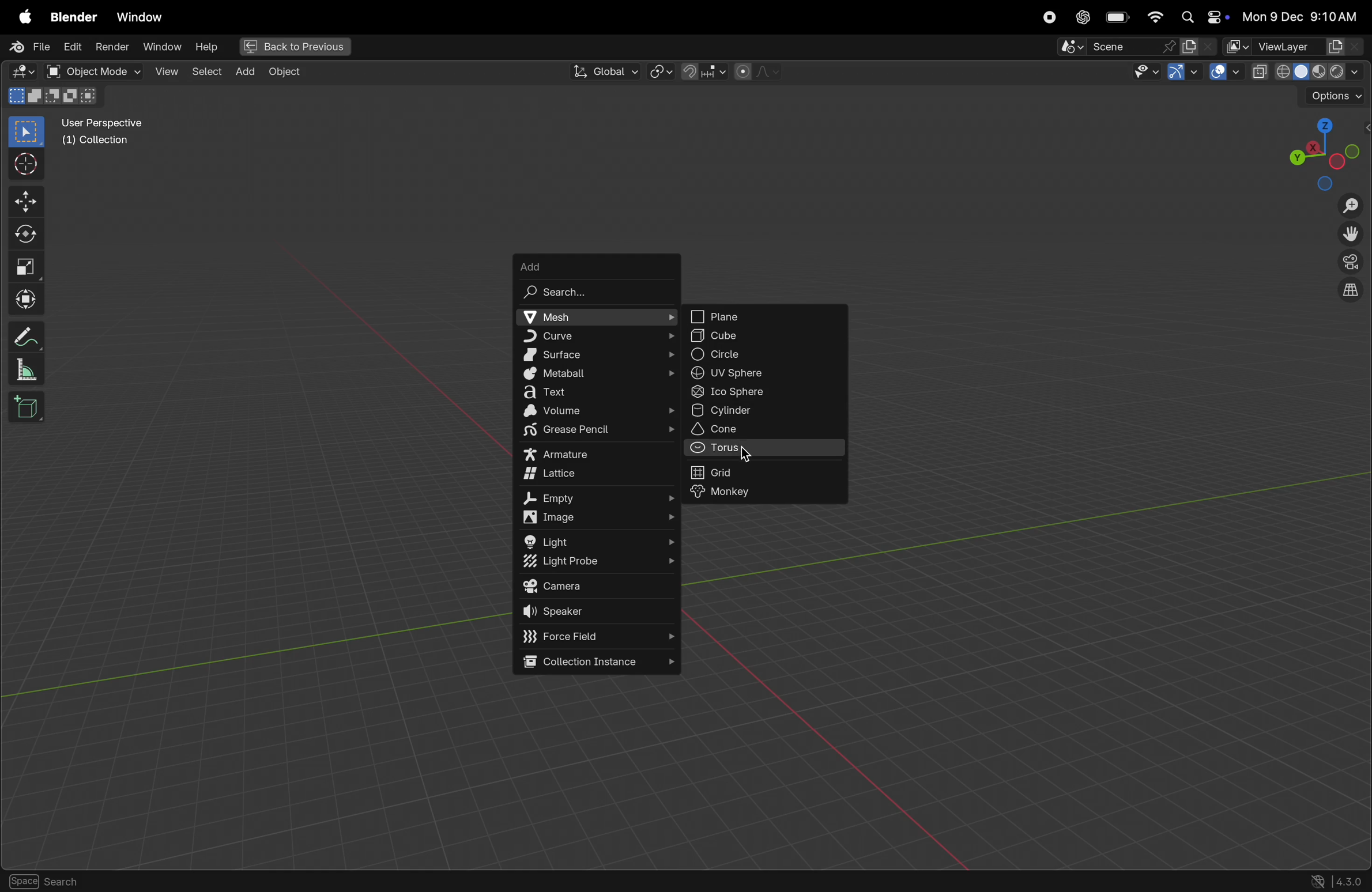 The height and width of the screenshot is (892, 1372). I want to click on ametaure, so click(598, 455).